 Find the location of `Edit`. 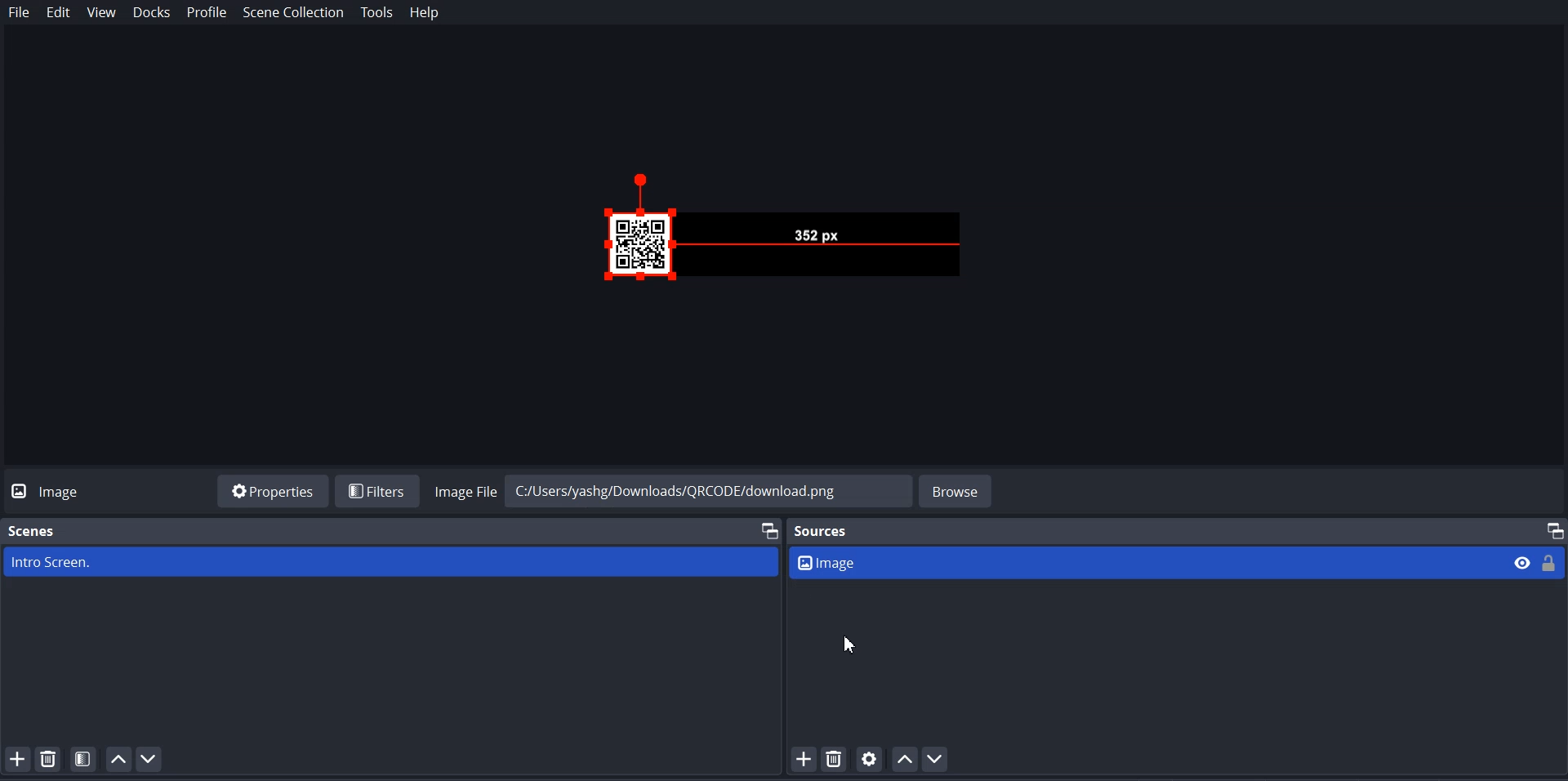

Edit is located at coordinates (59, 13).